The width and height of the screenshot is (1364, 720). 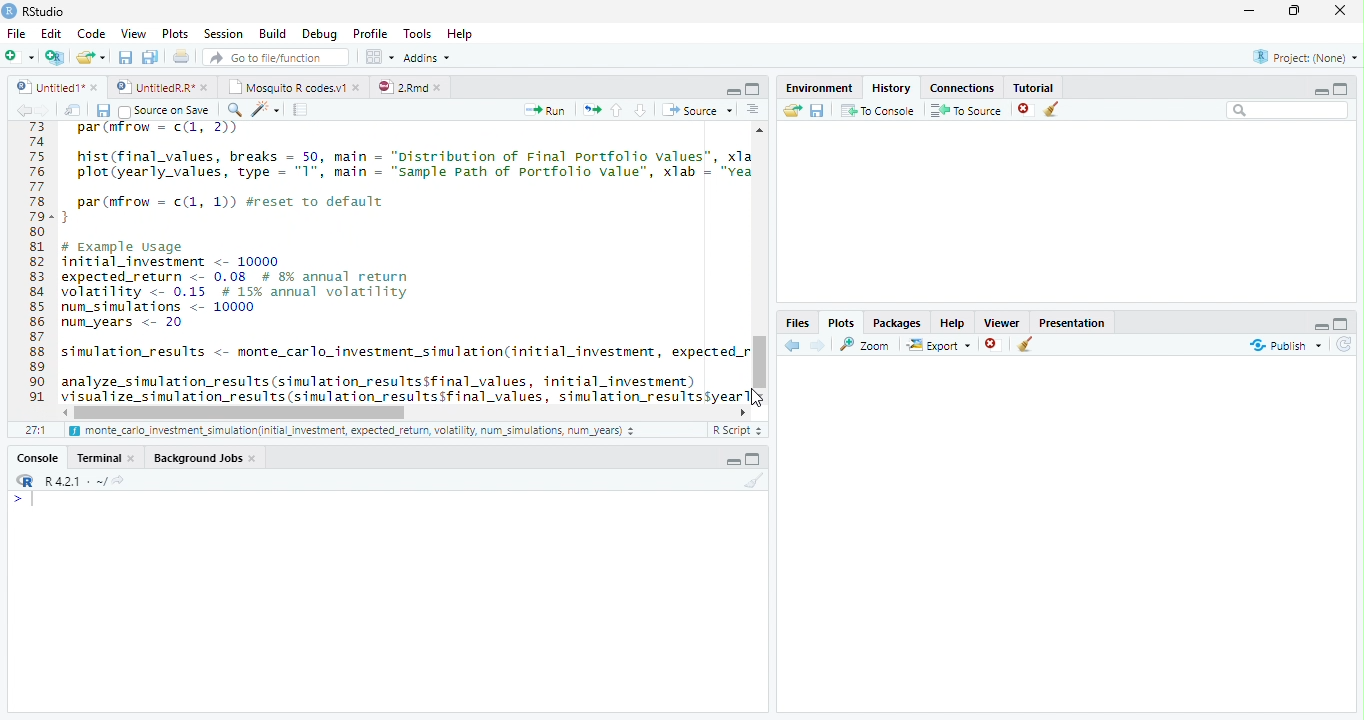 What do you see at coordinates (1321, 90) in the screenshot?
I see `Hide` at bounding box center [1321, 90].